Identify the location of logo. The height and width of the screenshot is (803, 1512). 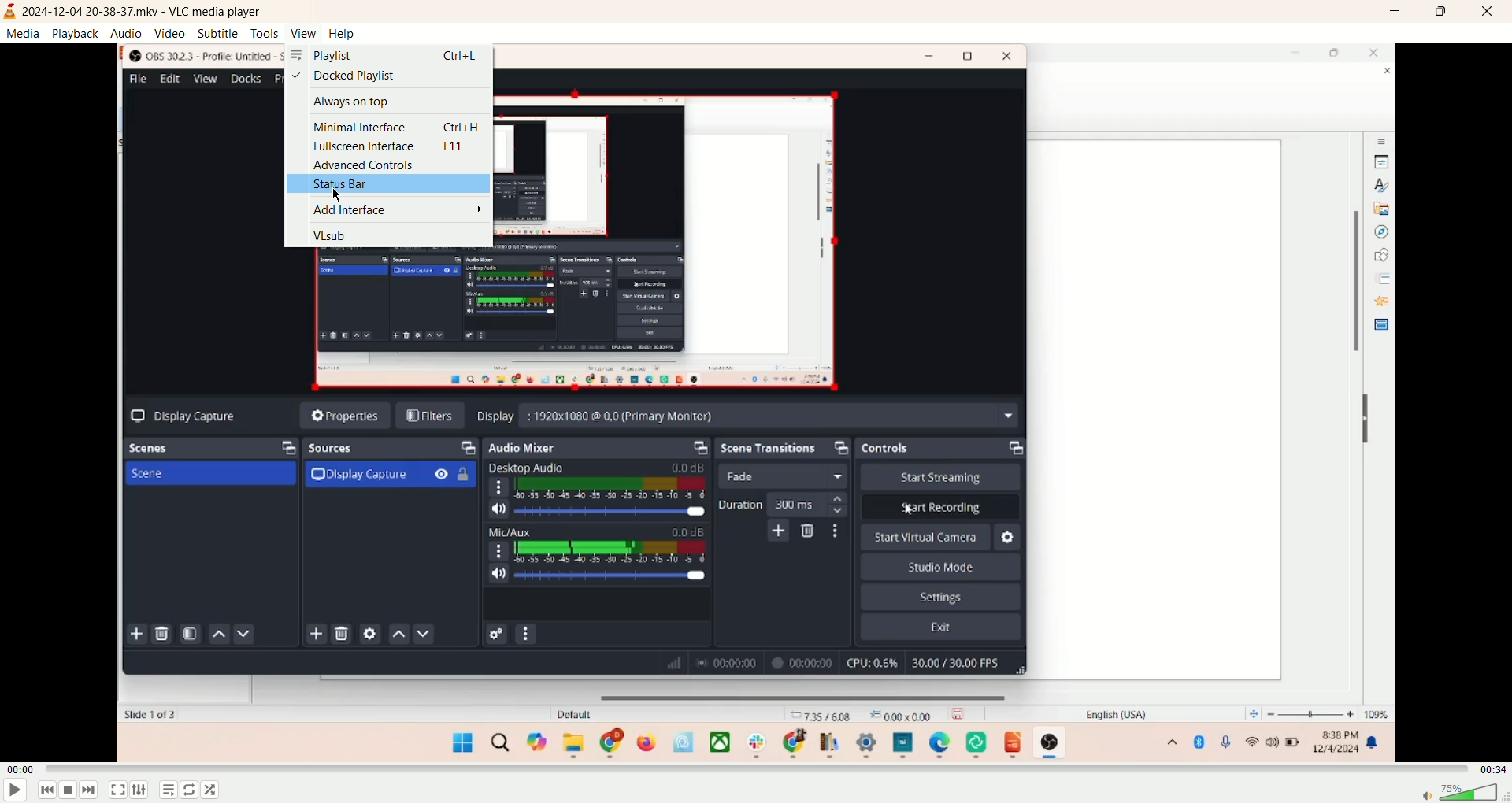
(10, 12).